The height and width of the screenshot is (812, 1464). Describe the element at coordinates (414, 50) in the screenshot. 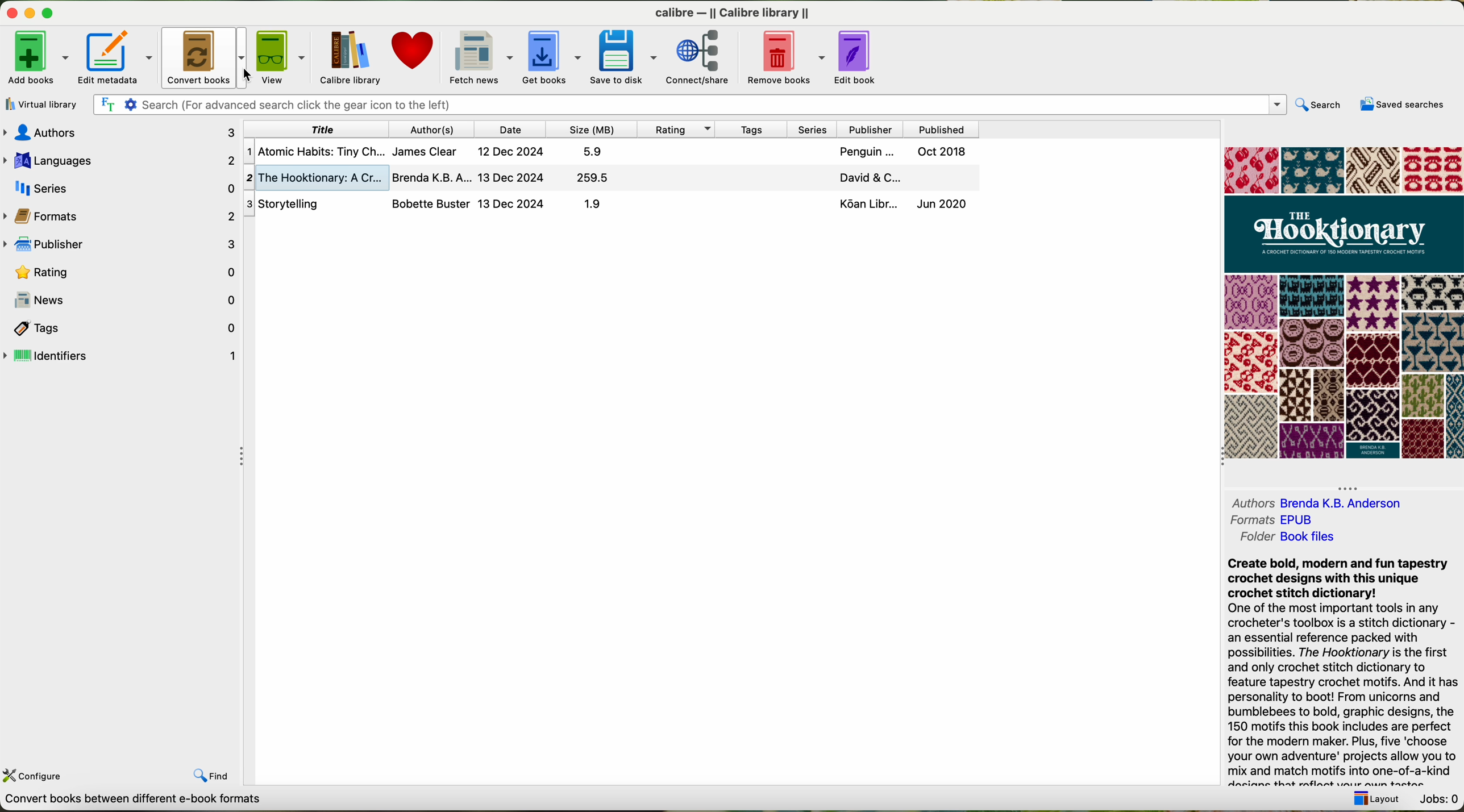

I see `donate` at that location.